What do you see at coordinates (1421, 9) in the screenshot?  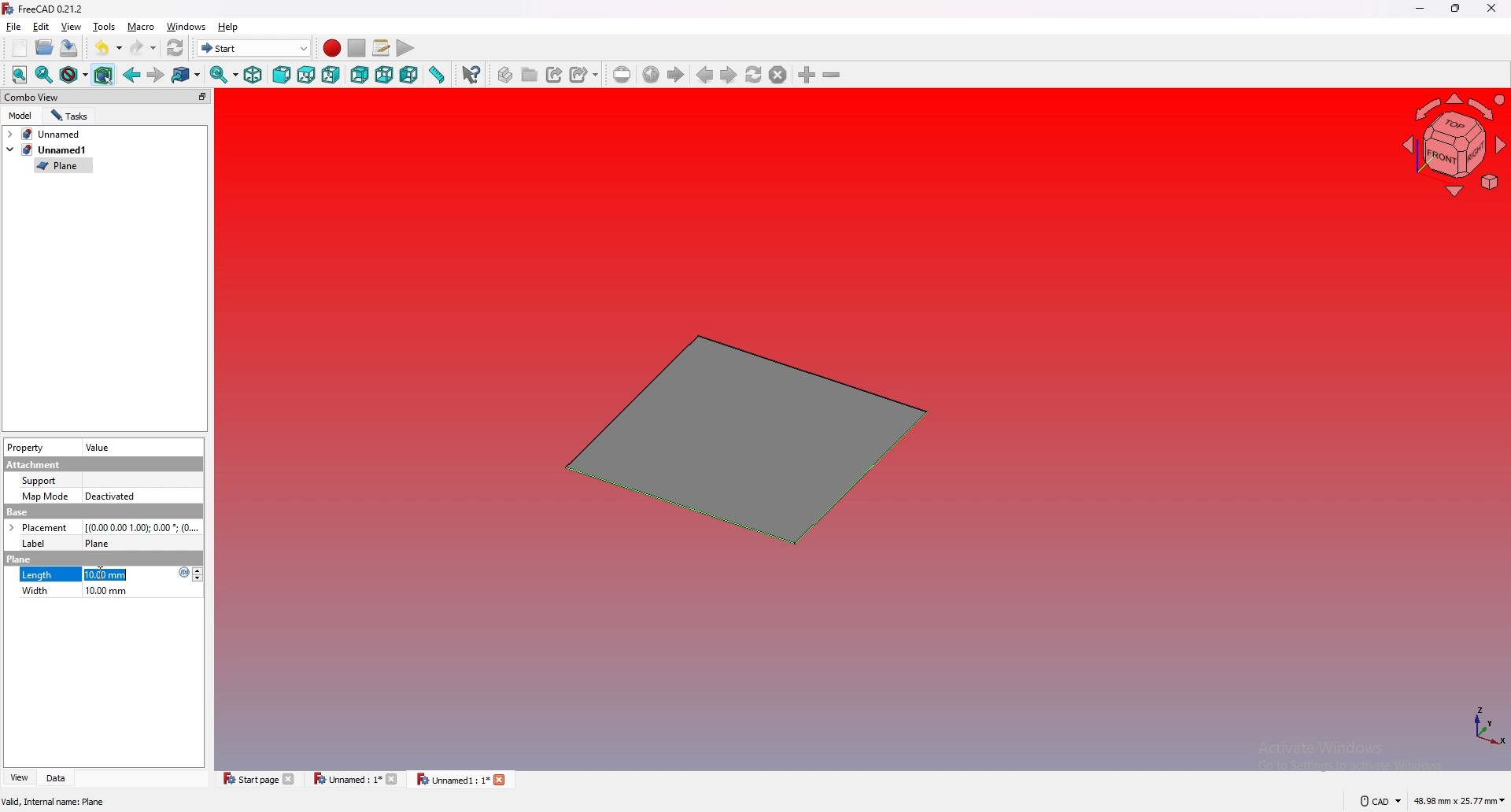 I see `minimize` at bounding box center [1421, 9].